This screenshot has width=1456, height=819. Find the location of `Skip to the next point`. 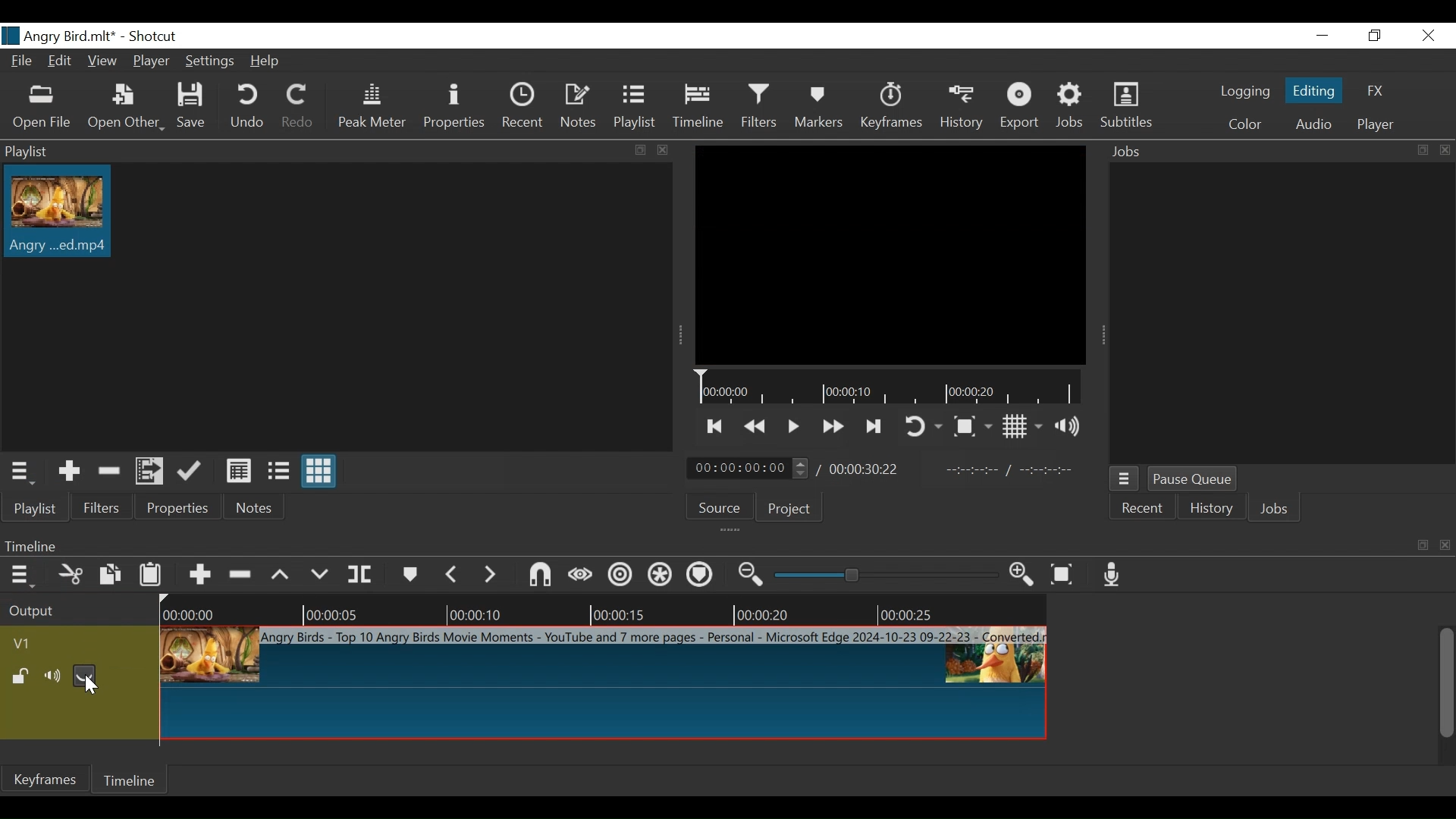

Skip to the next point is located at coordinates (872, 428).